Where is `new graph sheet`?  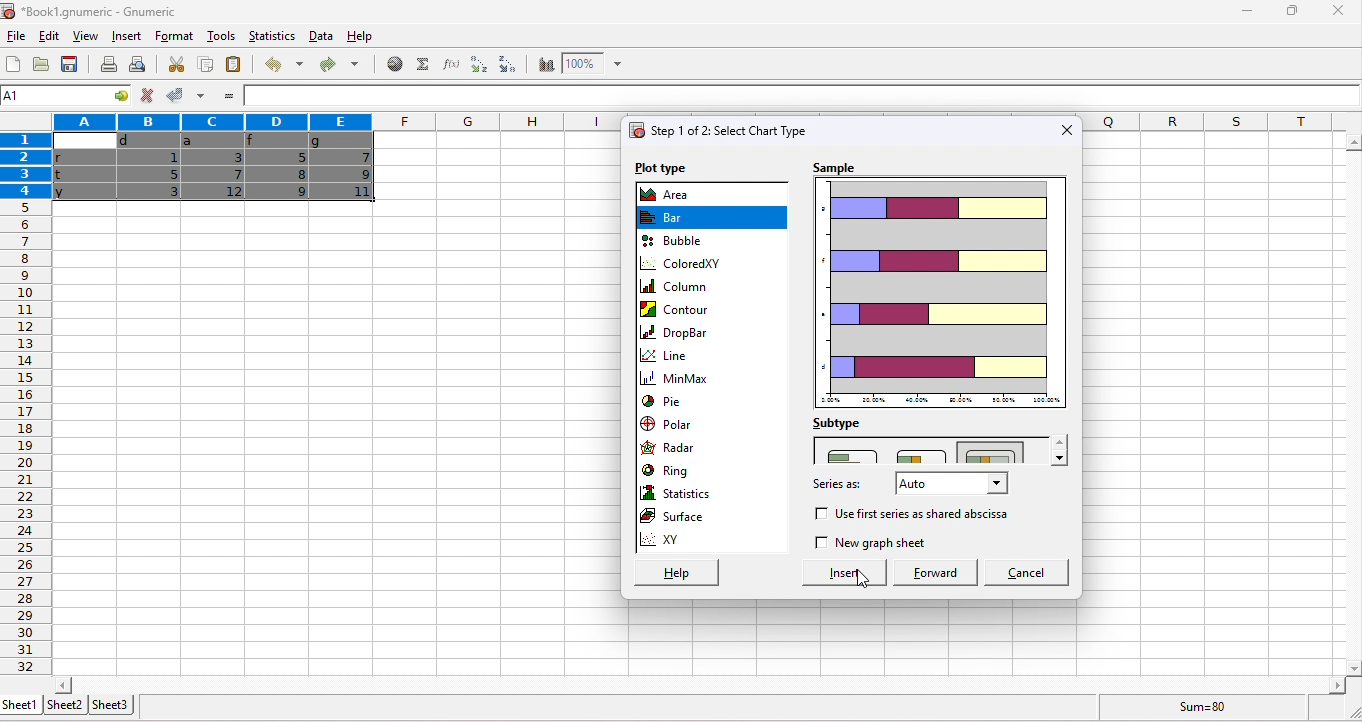 new graph sheet is located at coordinates (872, 544).